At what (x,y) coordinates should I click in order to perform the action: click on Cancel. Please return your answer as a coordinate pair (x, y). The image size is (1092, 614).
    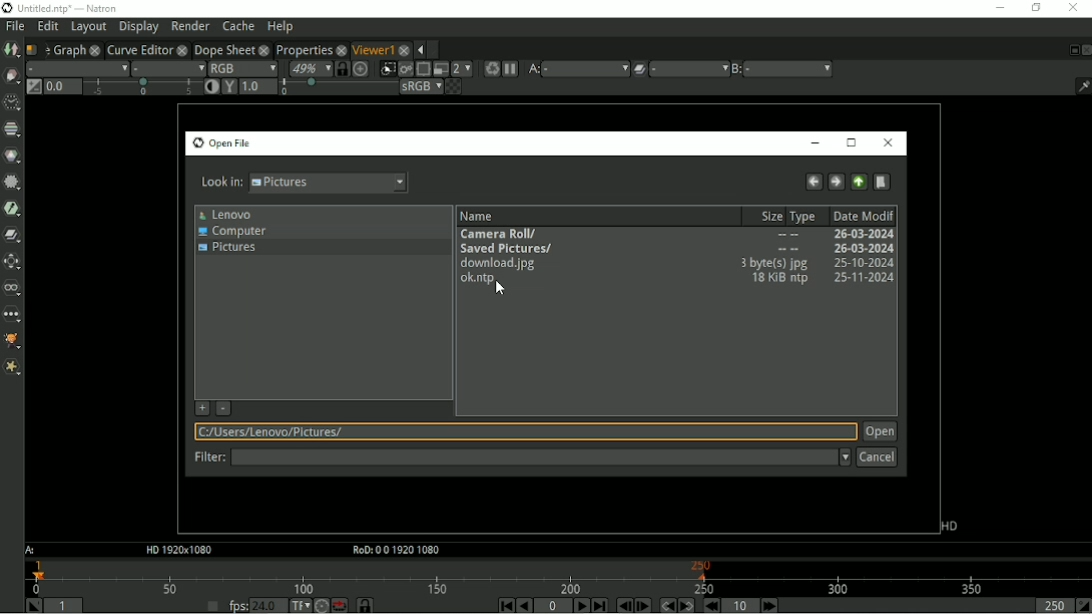
    Looking at the image, I should click on (877, 458).